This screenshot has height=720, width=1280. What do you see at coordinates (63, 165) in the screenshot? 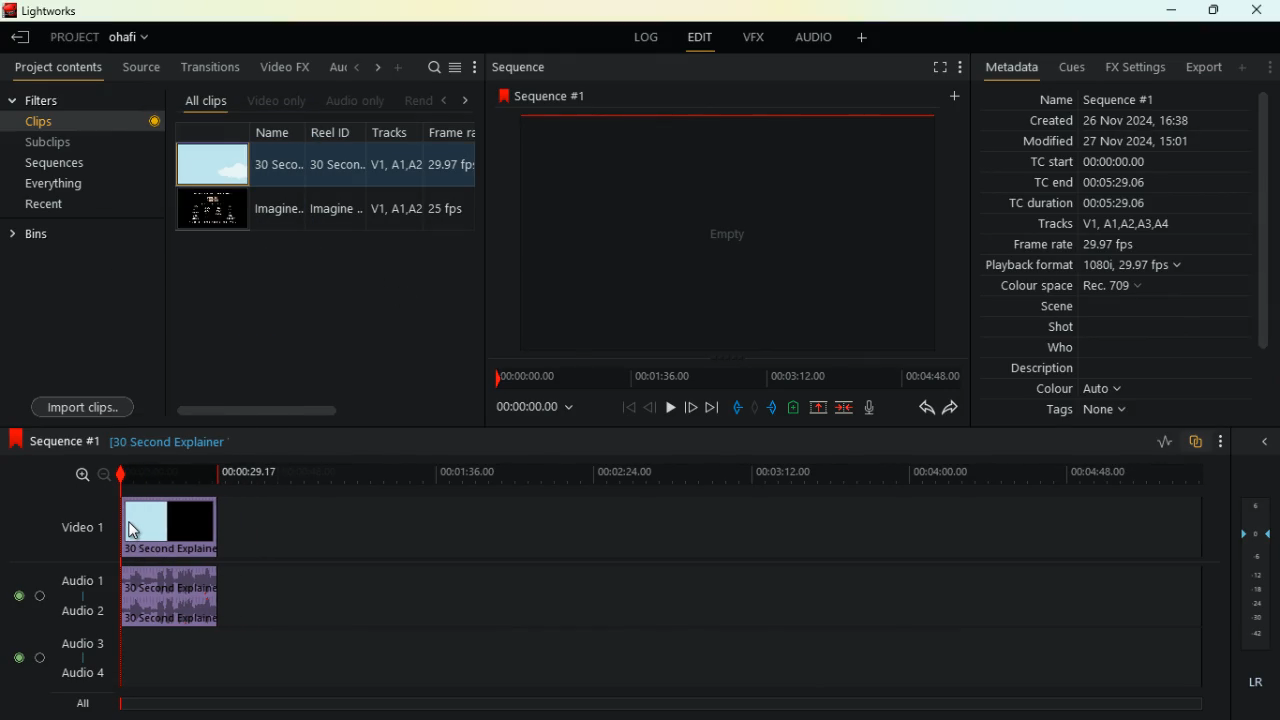
I see `sequences` at bounding box center [63, 165].